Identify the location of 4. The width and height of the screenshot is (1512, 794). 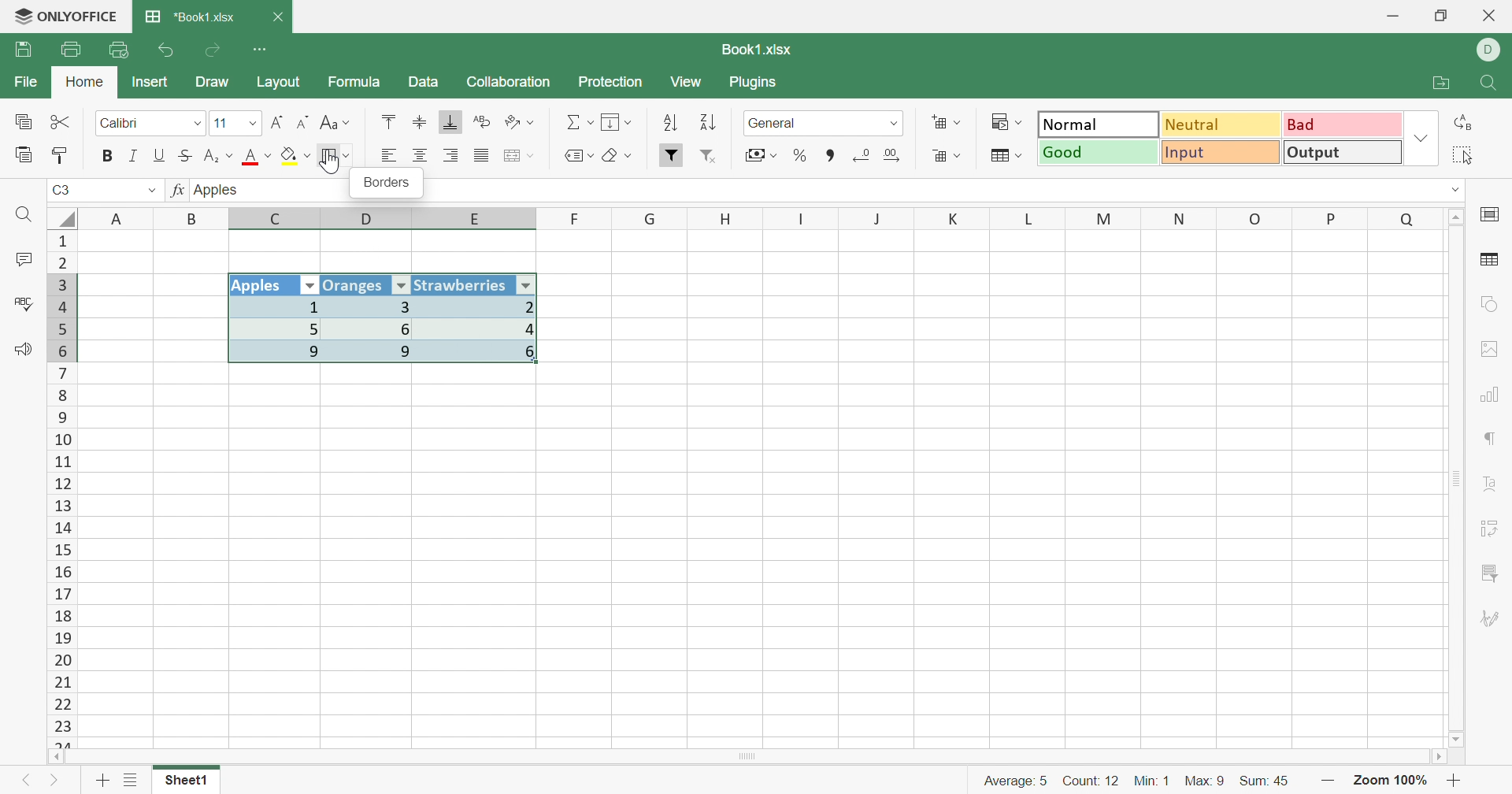
(483, 329).